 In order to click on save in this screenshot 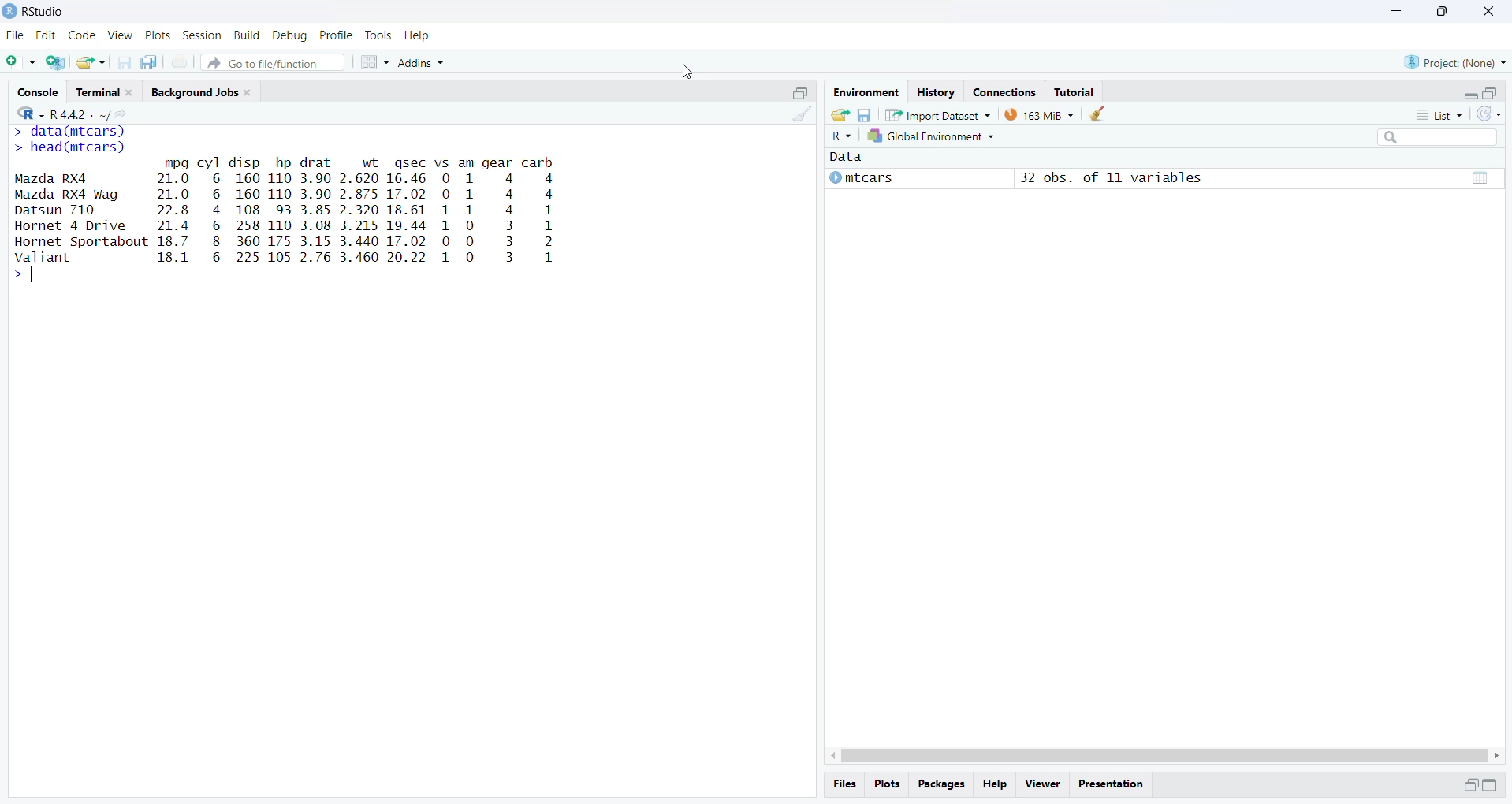, I will do `click(866, 114)`.